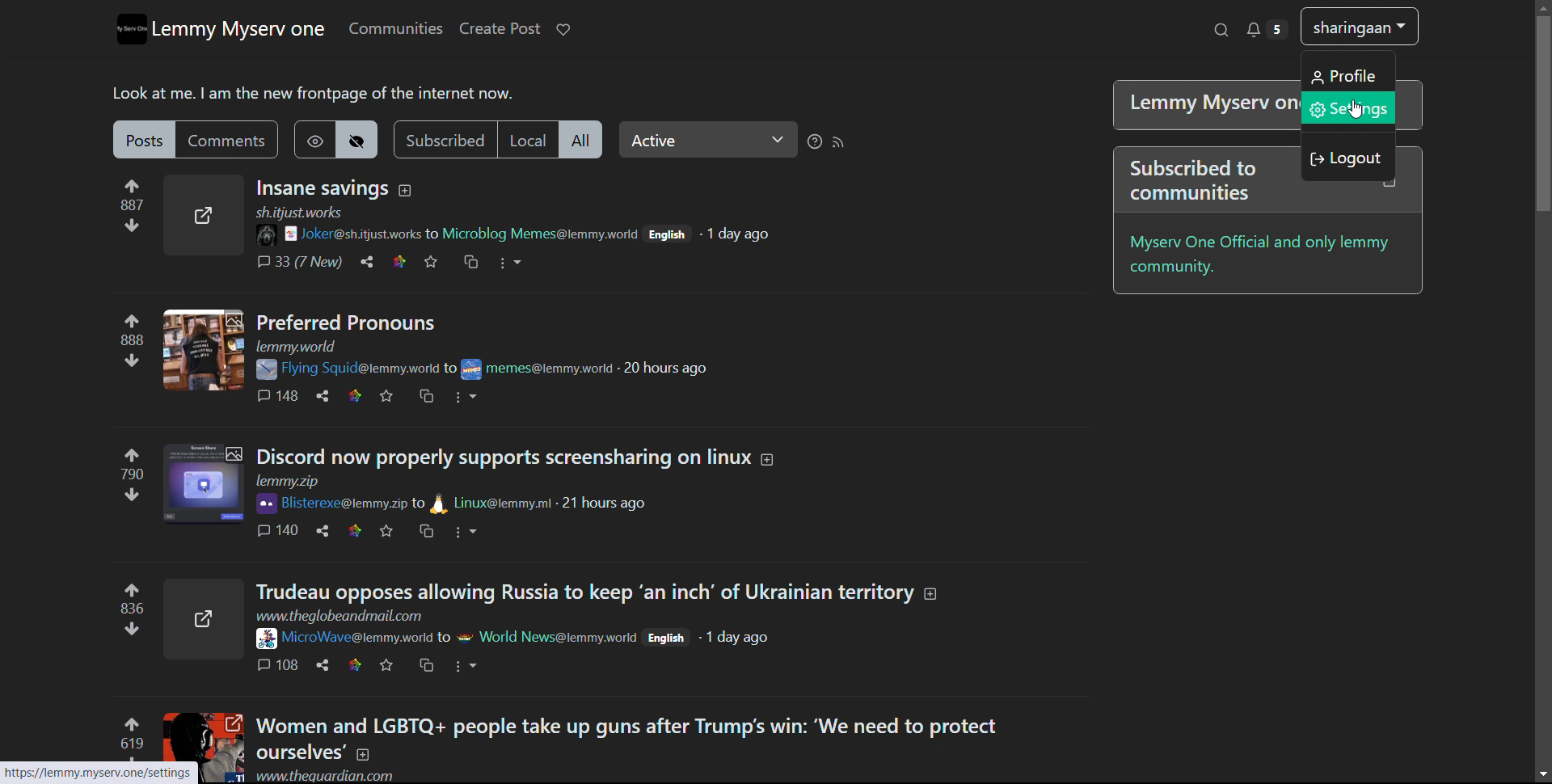 This screenshot has height=784, width=1552. Describe the element at coordinates (394, 30) in the screenshot. I see `communities` at that location.